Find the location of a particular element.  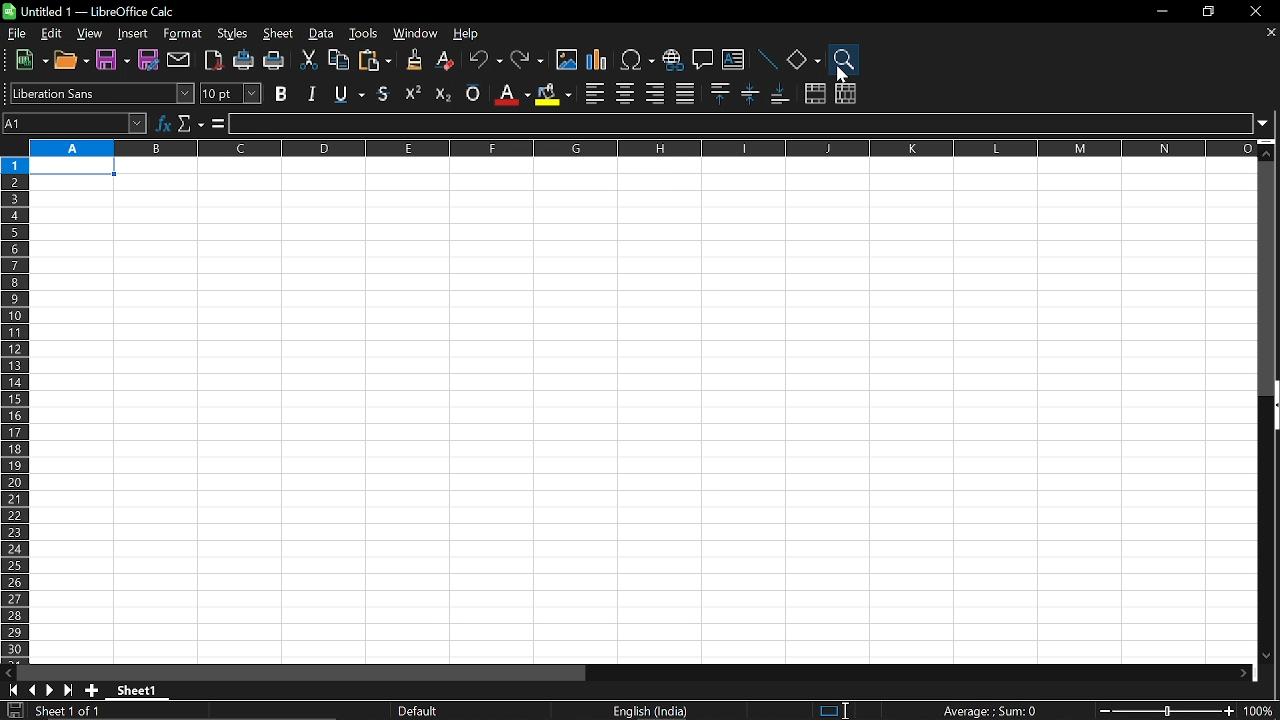

go to last page is located at coordinates (70, 691).